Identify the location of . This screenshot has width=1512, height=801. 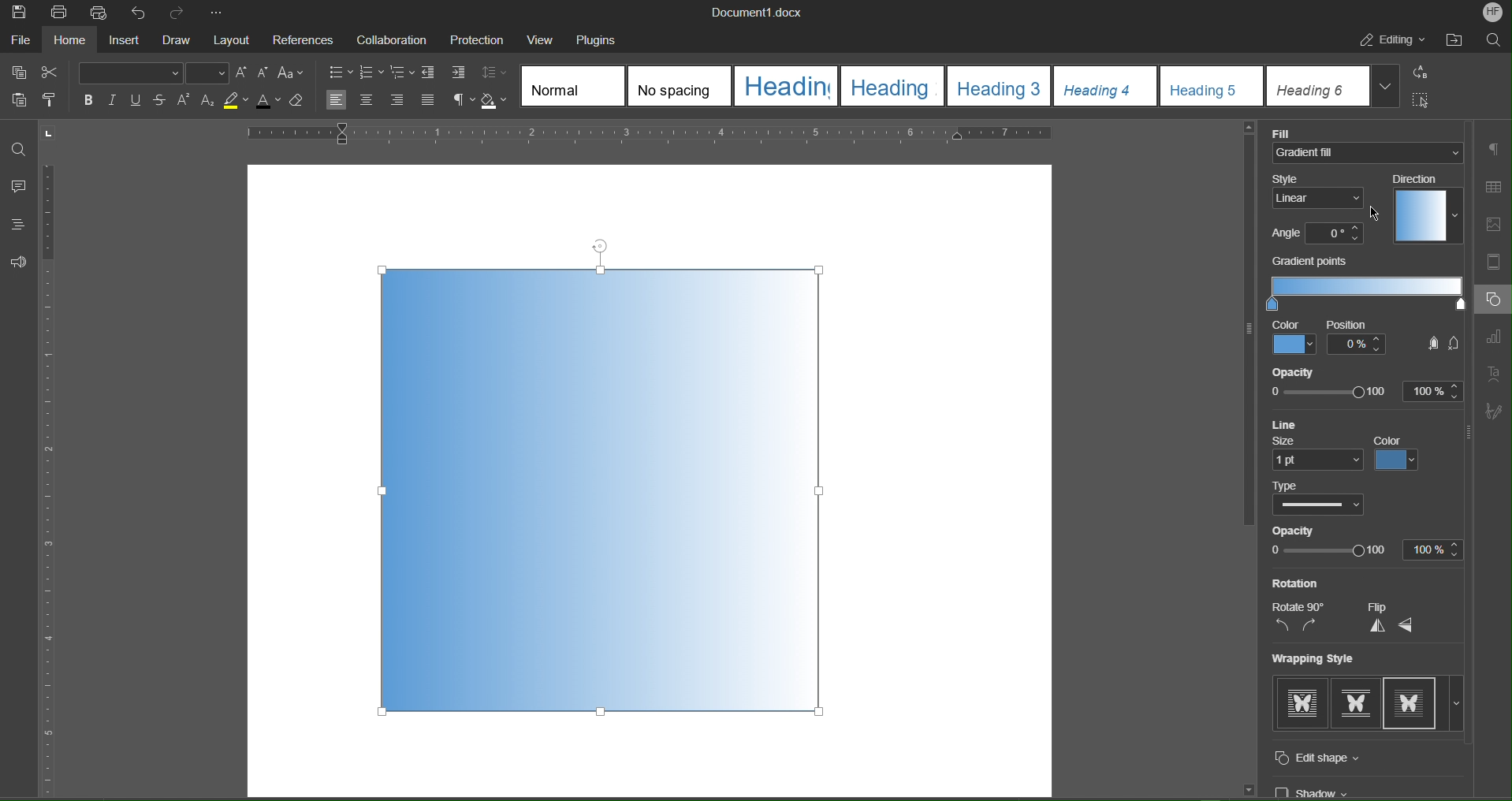
(482, 39).